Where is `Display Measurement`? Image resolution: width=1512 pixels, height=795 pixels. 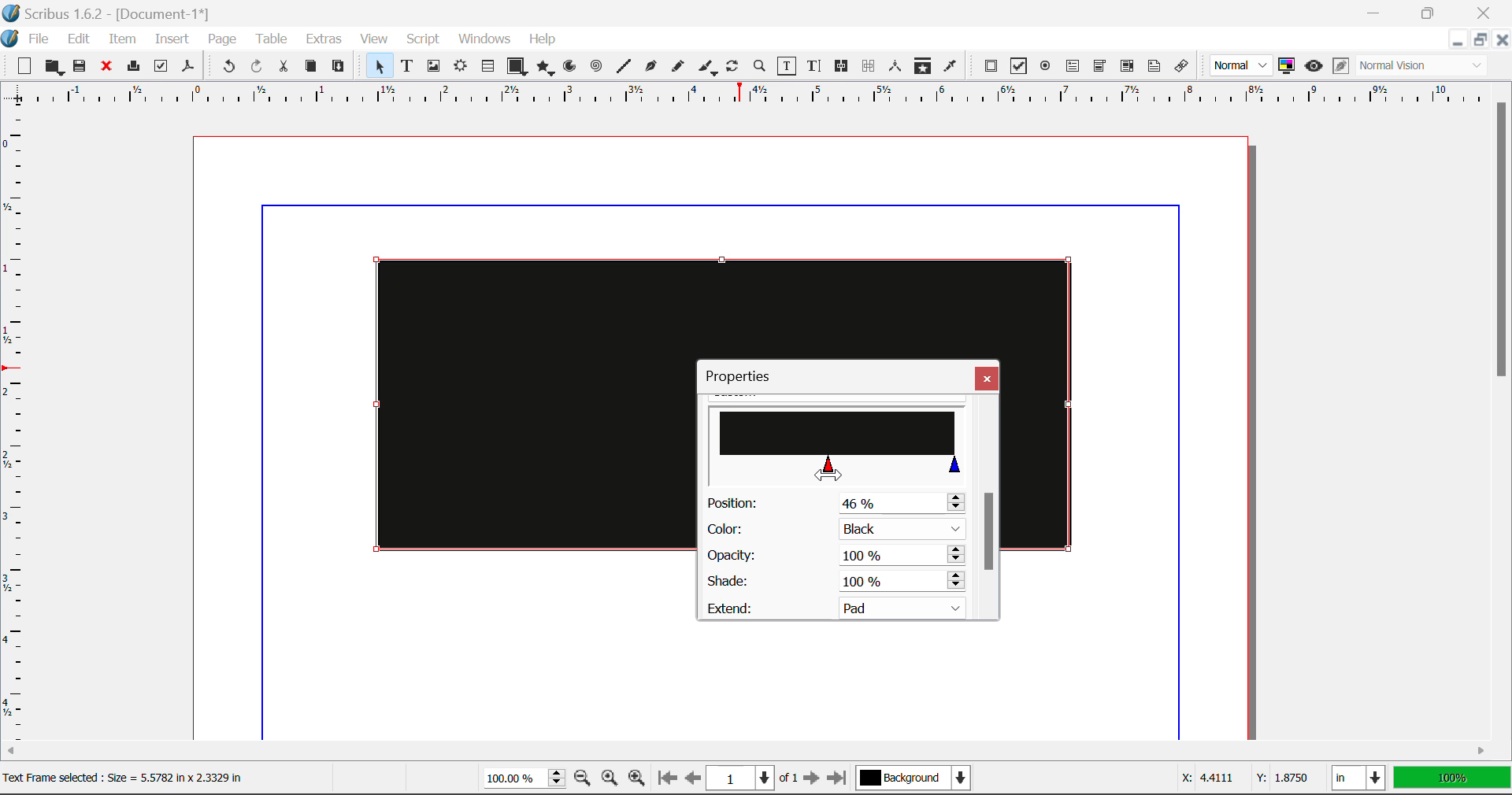 Display Measurement is located at coordinates (1452, 780).